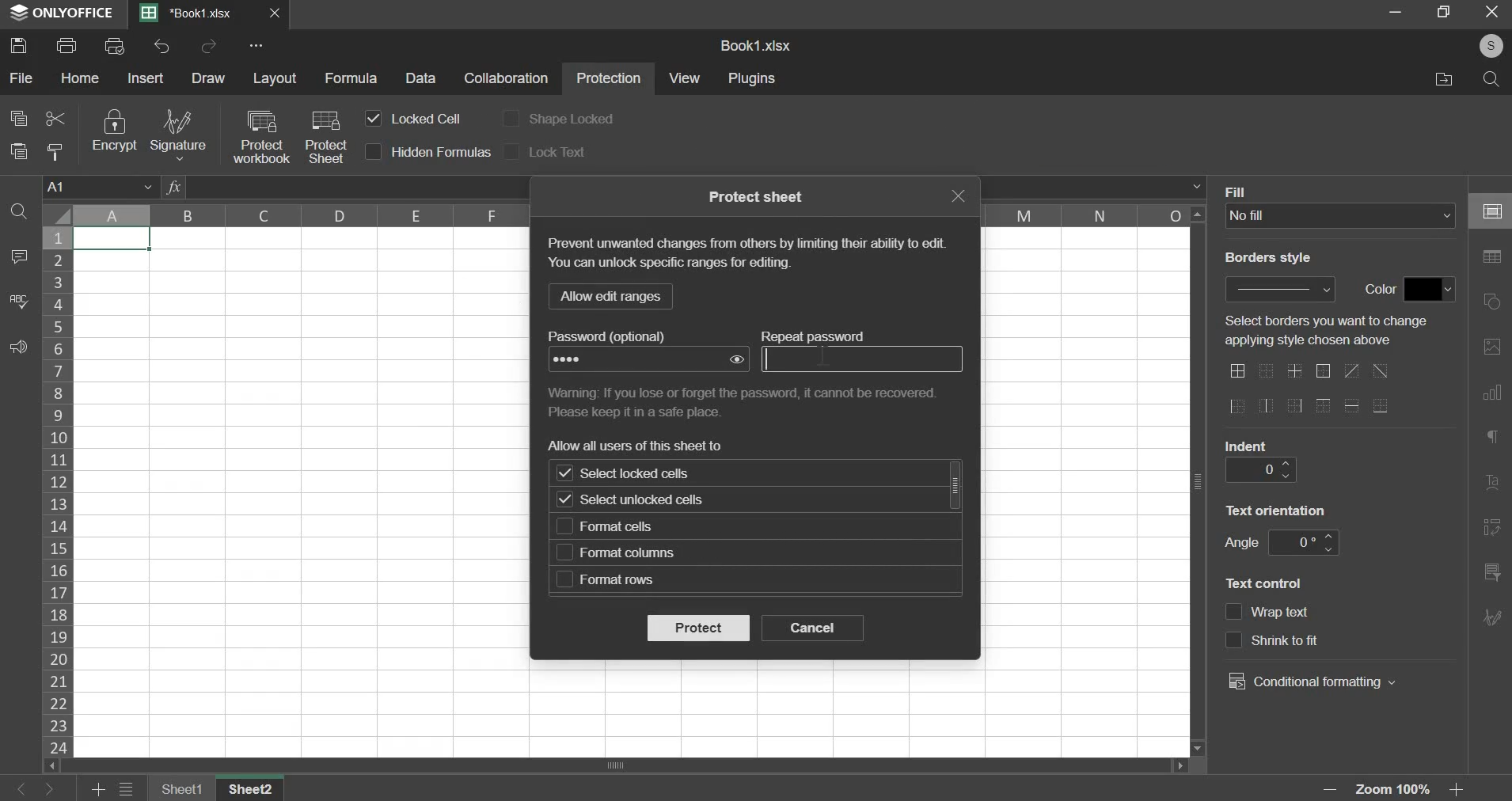 This screenshot has height=801, width=1512. Describe the element at coordinates (649, 502) in the screenshot. I see `select unlocked cells` at that location.